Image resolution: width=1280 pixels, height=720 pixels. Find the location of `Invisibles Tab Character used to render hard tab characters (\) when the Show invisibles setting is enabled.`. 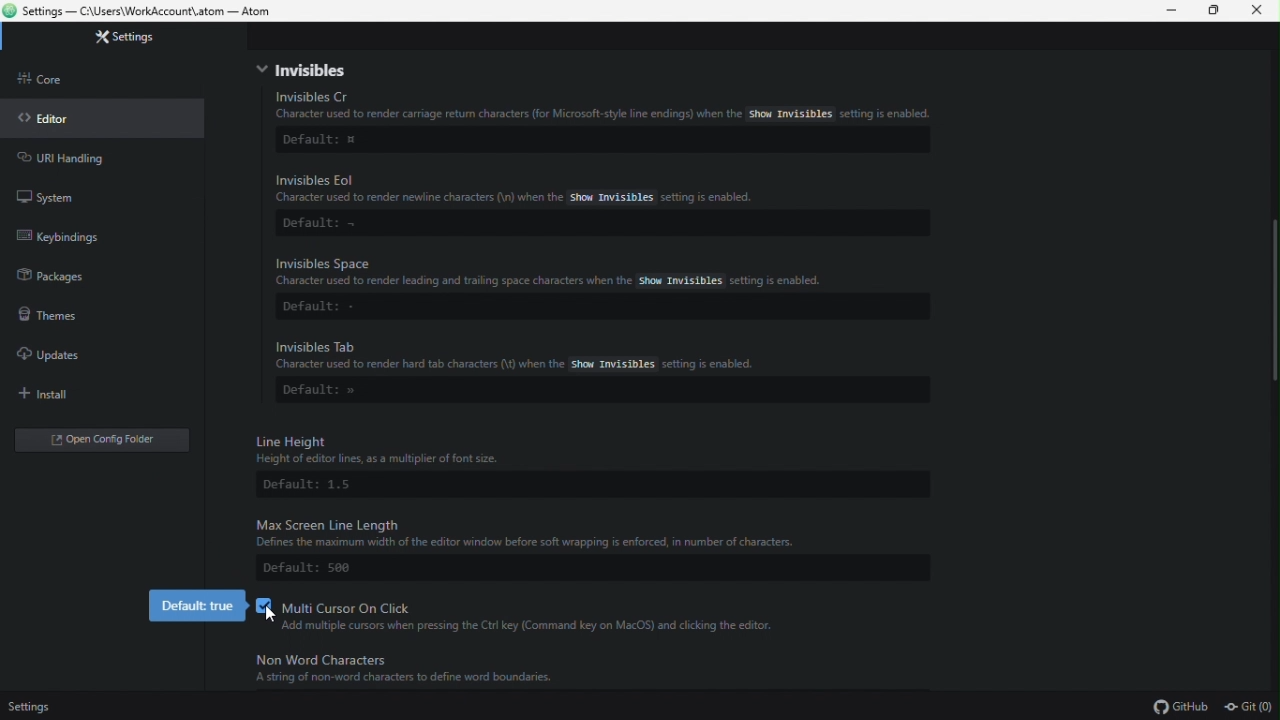

Invisibles Tab Character used to render hard tab characters (\) when the Show invisibles setting is enabled. is located at coordinates (600, 354).